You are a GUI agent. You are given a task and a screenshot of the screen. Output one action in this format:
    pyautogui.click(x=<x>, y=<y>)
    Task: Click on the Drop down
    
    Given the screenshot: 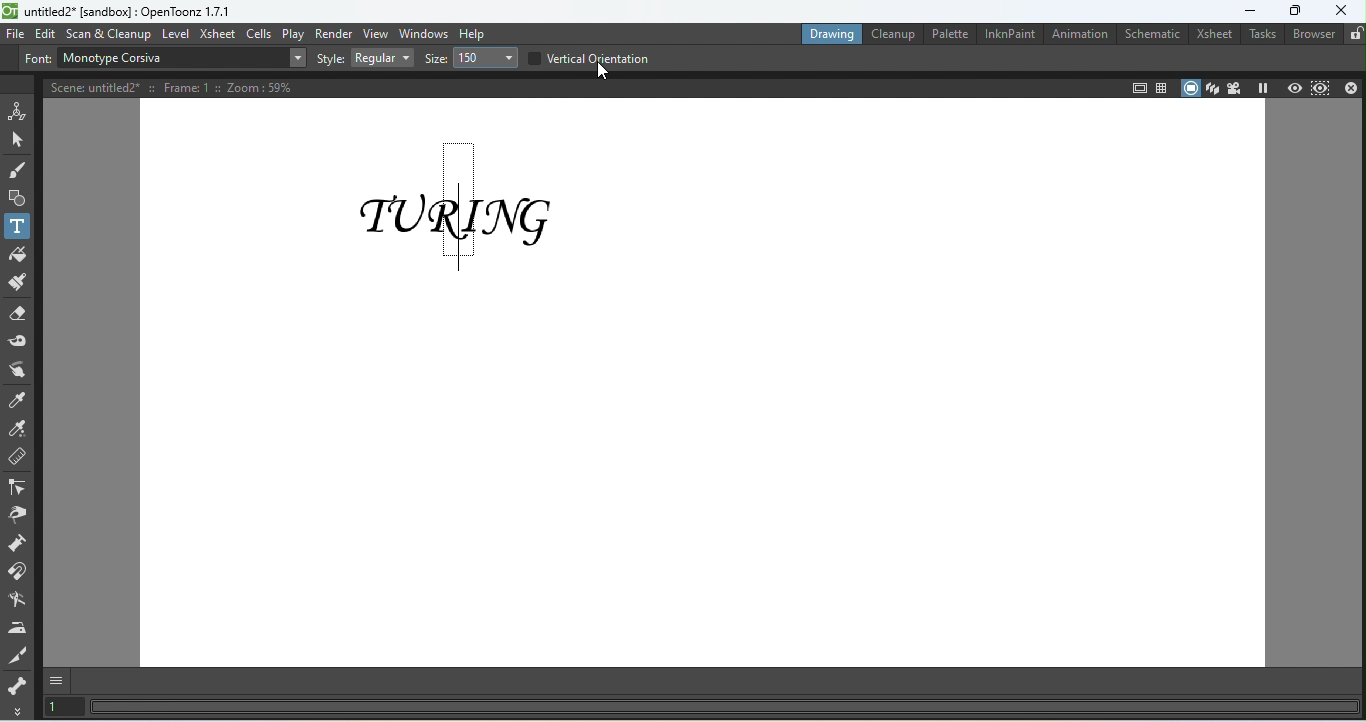 What is the action you would take?
    pyautogui.click(x=297, y=59)
    